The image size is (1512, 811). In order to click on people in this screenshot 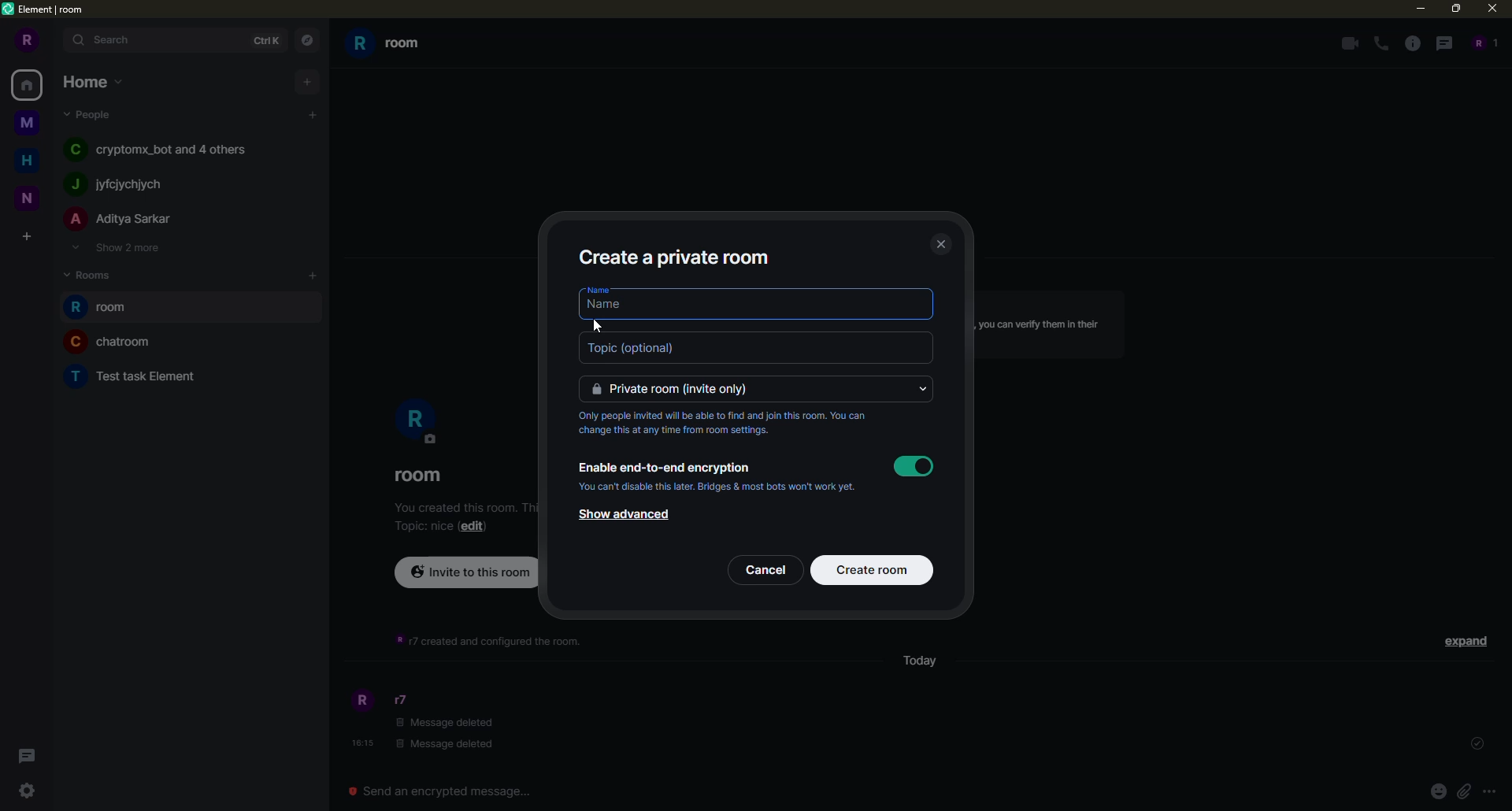, I will do `click(167, 148)`.